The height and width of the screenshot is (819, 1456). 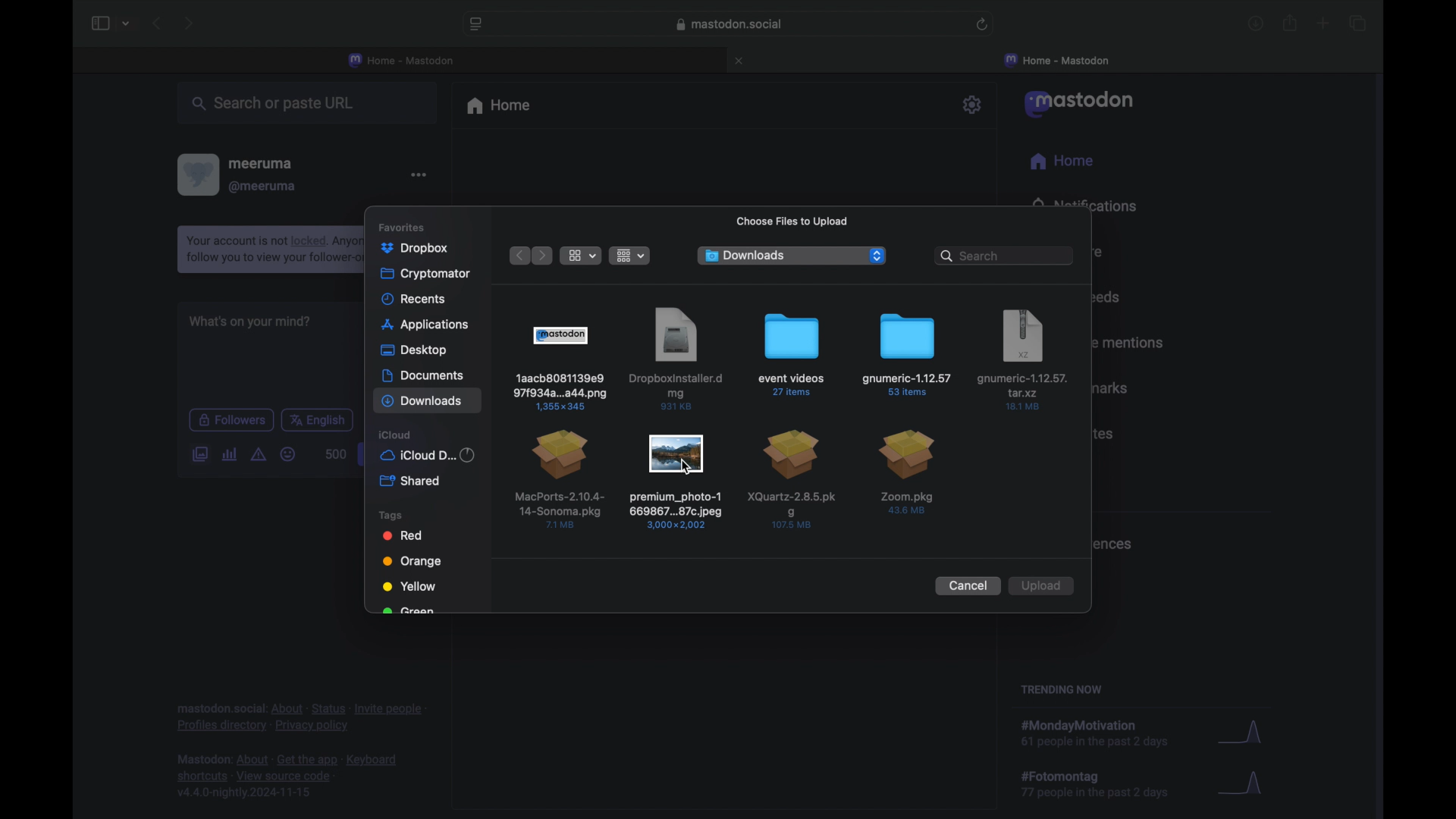 I want to click on recents, so click(x=417, y=299).